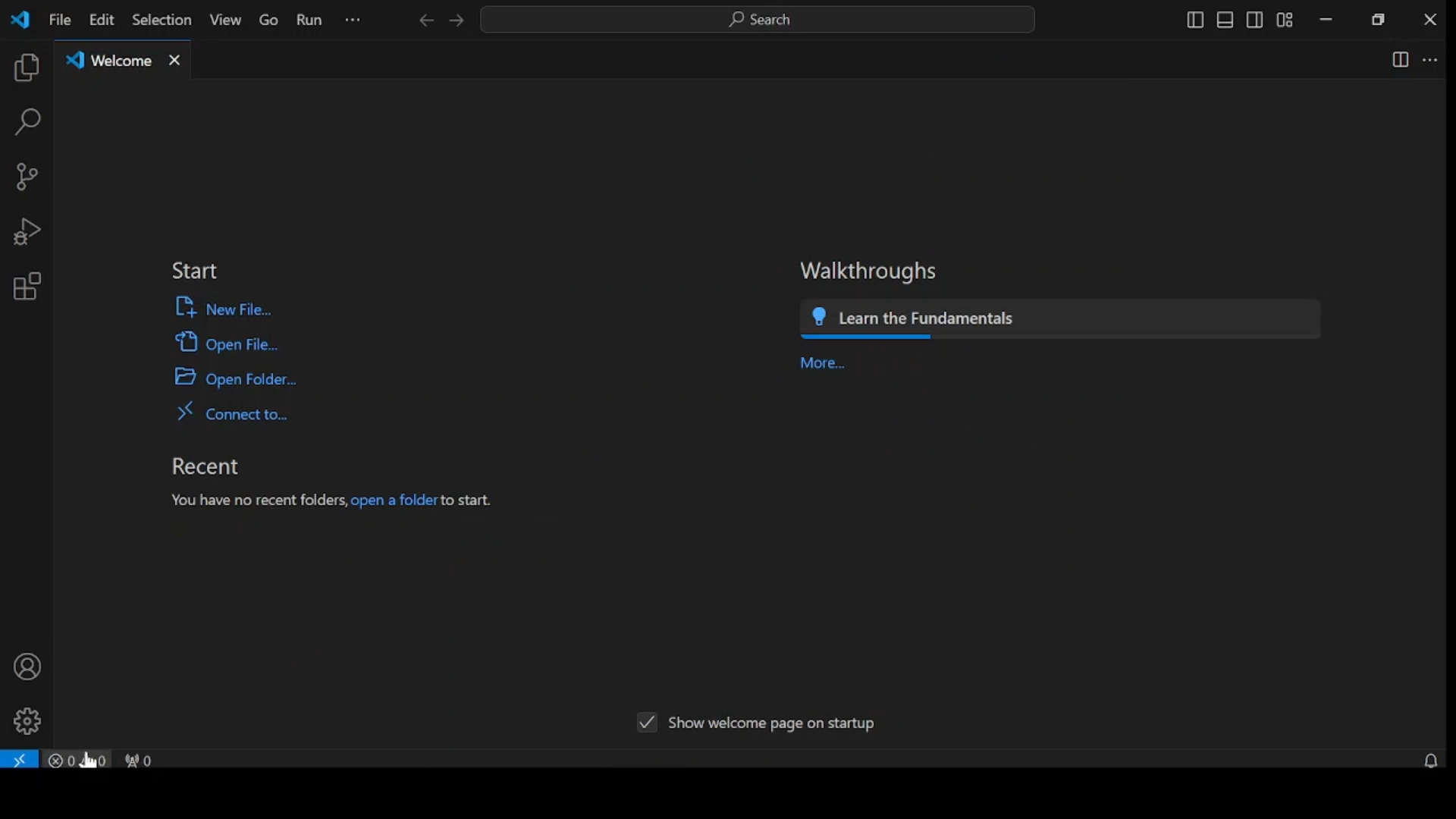 The height and width of the screenshot is (819, 1456). Describe the element at coordinates (20, 759) in the screenshot. I see `open remote window` at that location.